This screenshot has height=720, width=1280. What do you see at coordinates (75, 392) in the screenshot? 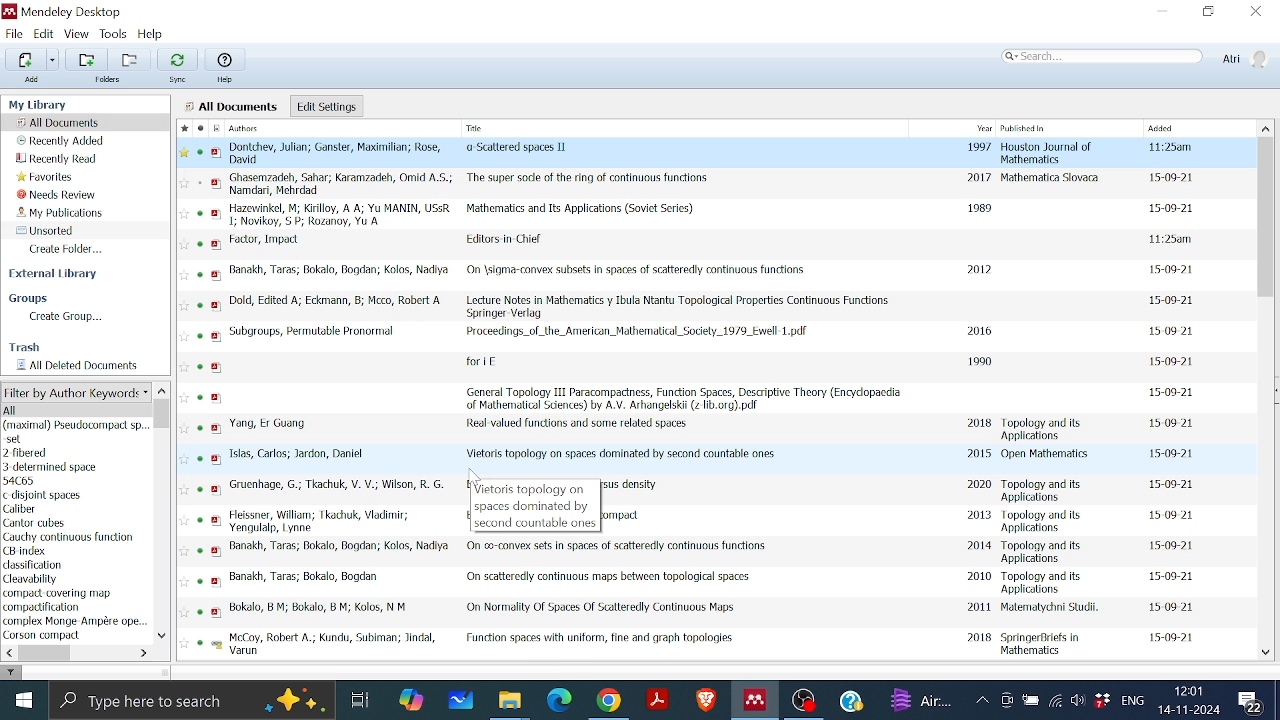
I see `Filter options` at bounding box center [75, 392].